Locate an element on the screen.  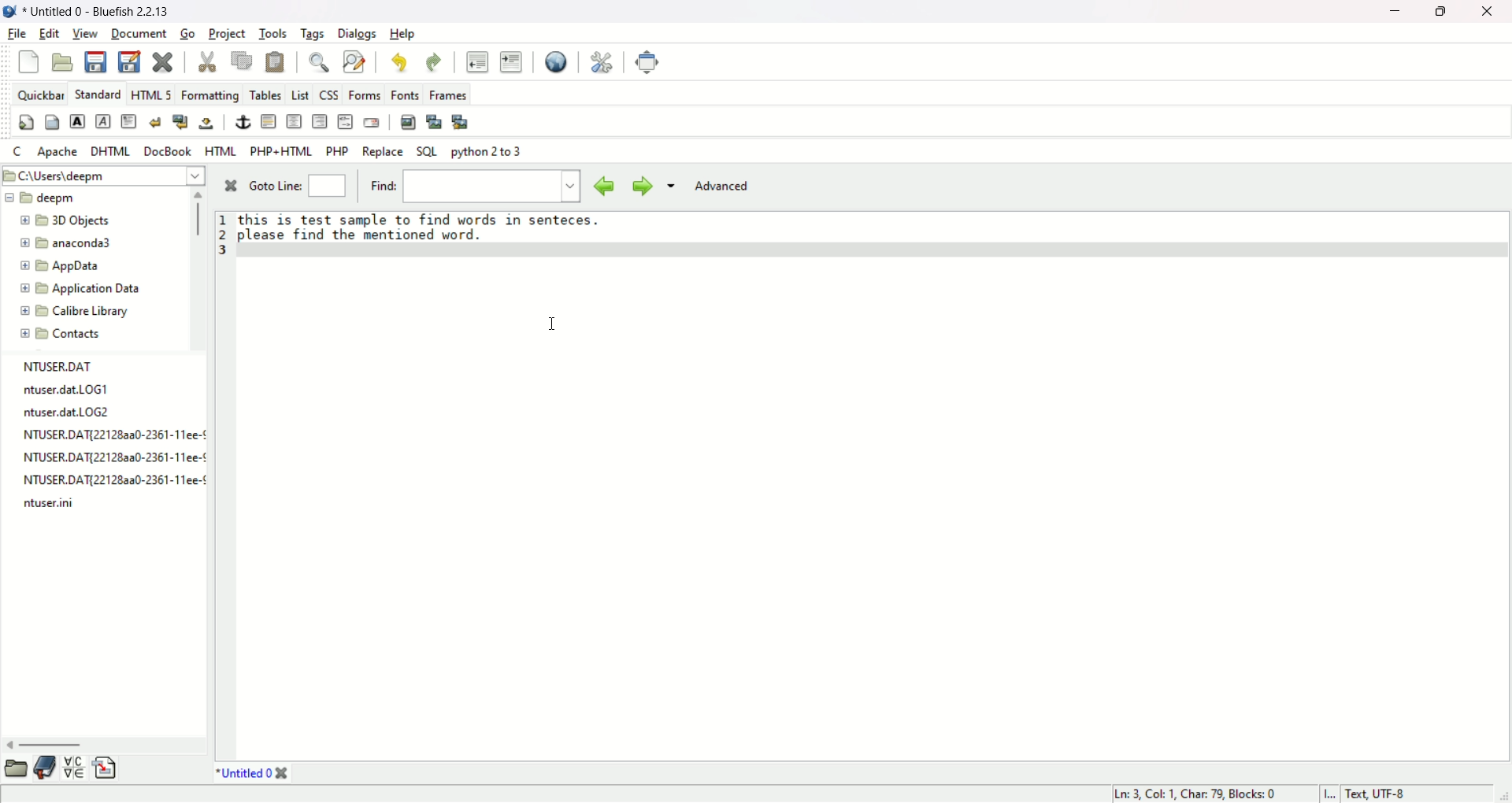
forms is located at coordinates (364, 95).